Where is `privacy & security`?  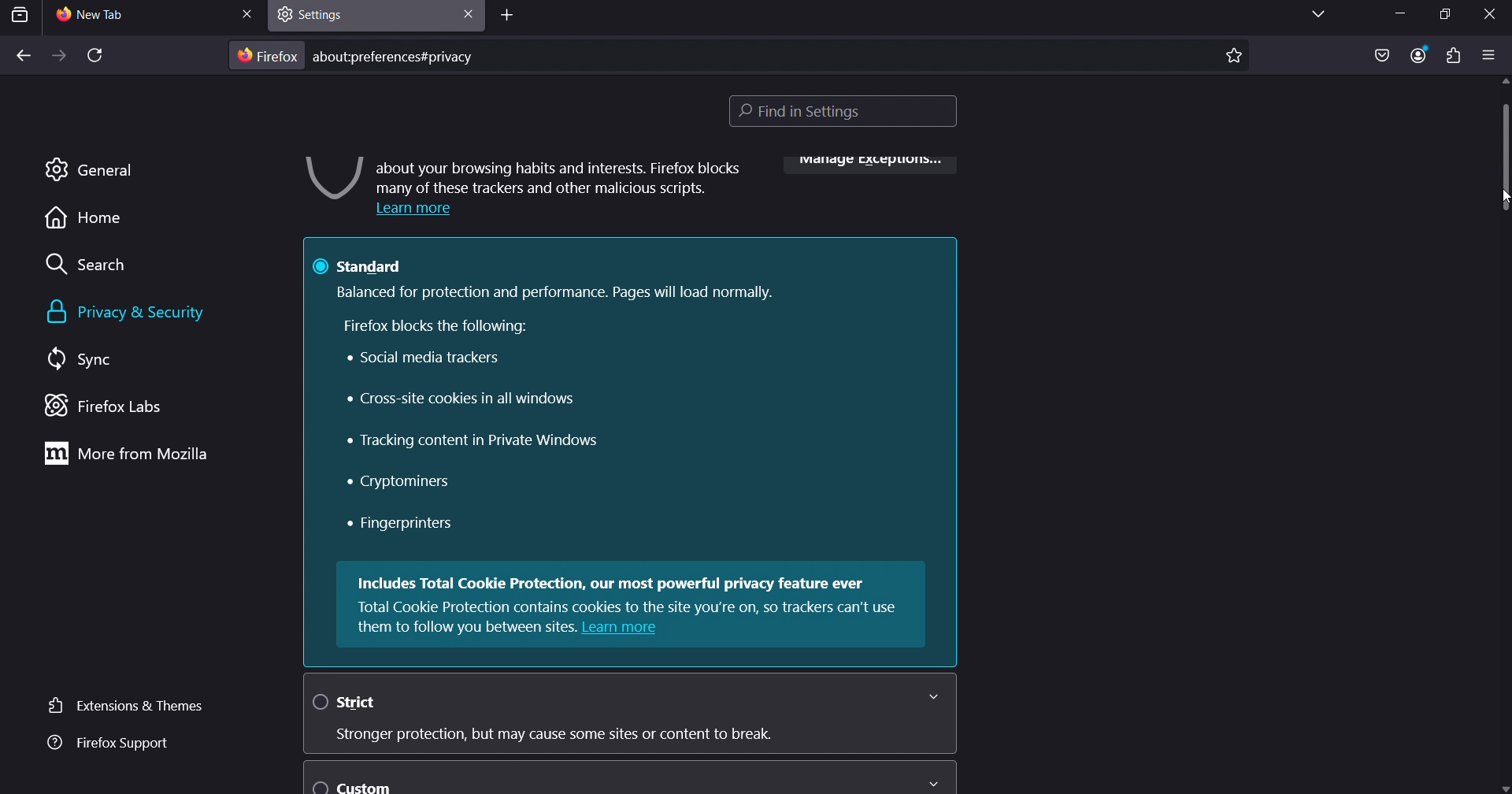 privacy & security is located at coordinates (143, 313).